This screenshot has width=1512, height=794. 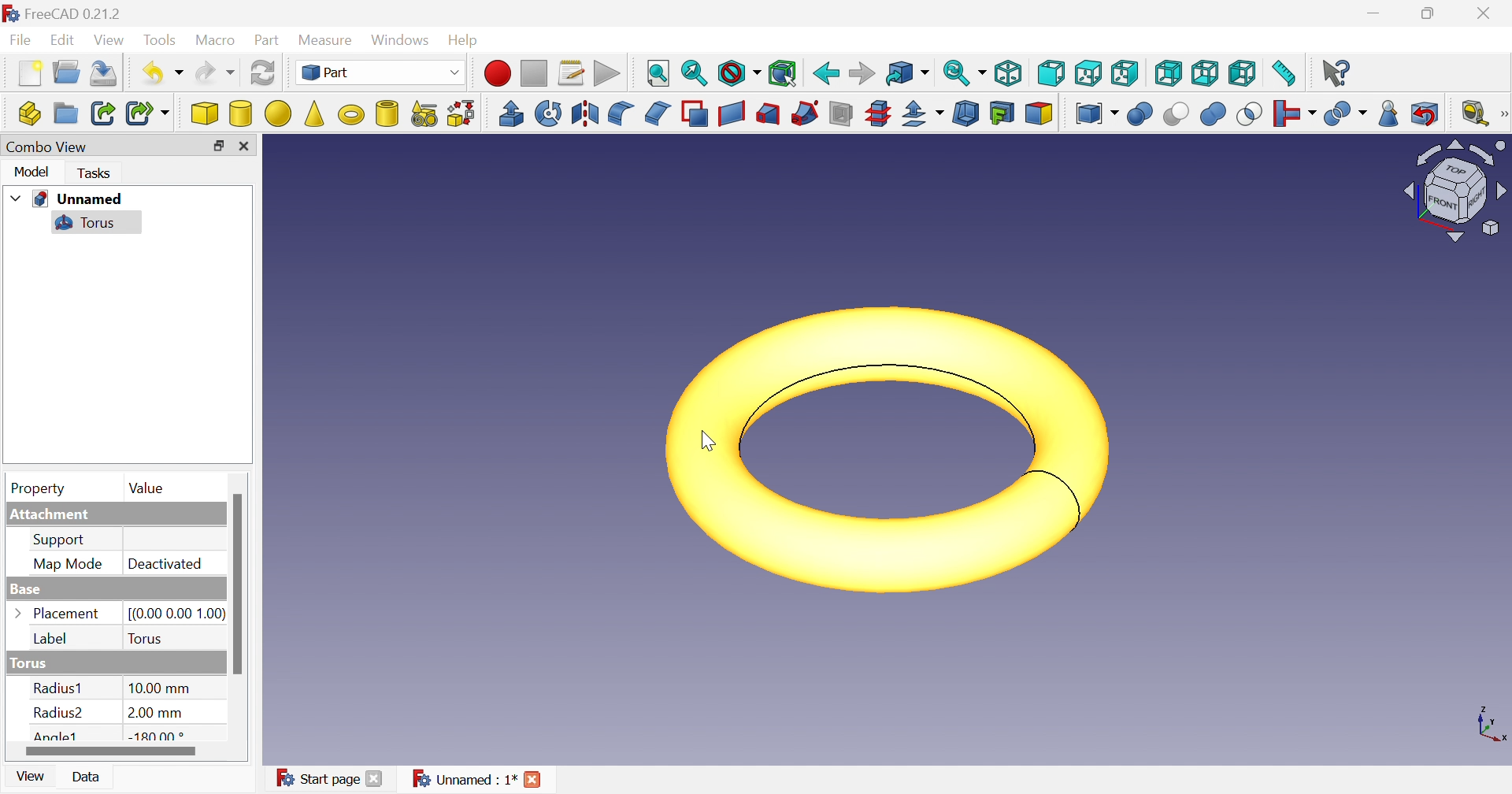 What do you see at coordinates (1169, 75) in the screenshot?
I see `Rear` at bounding box center [1169, 75].